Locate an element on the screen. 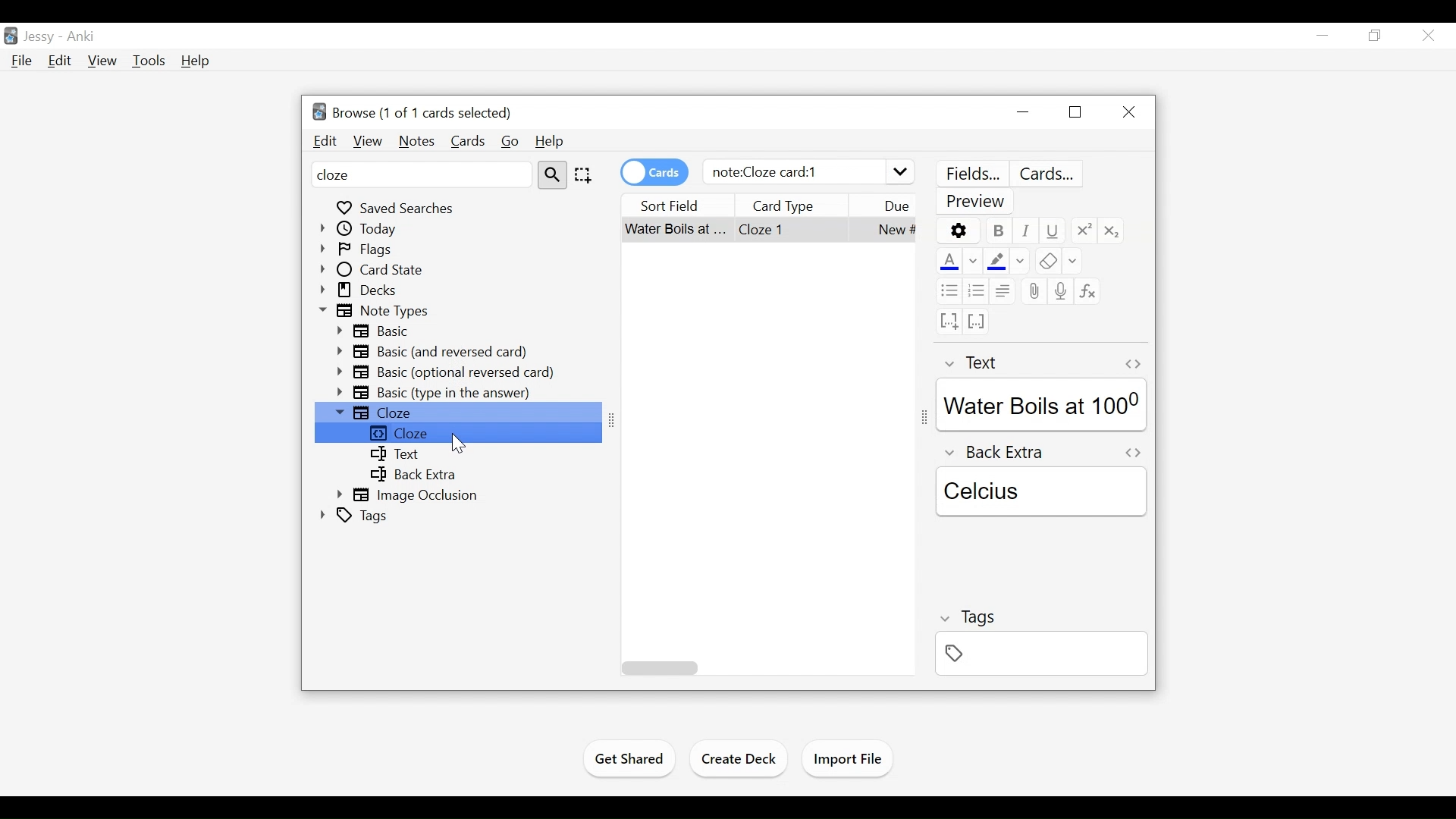 The image size is (1456, 819). Close is located at coordinates (1130, 111).